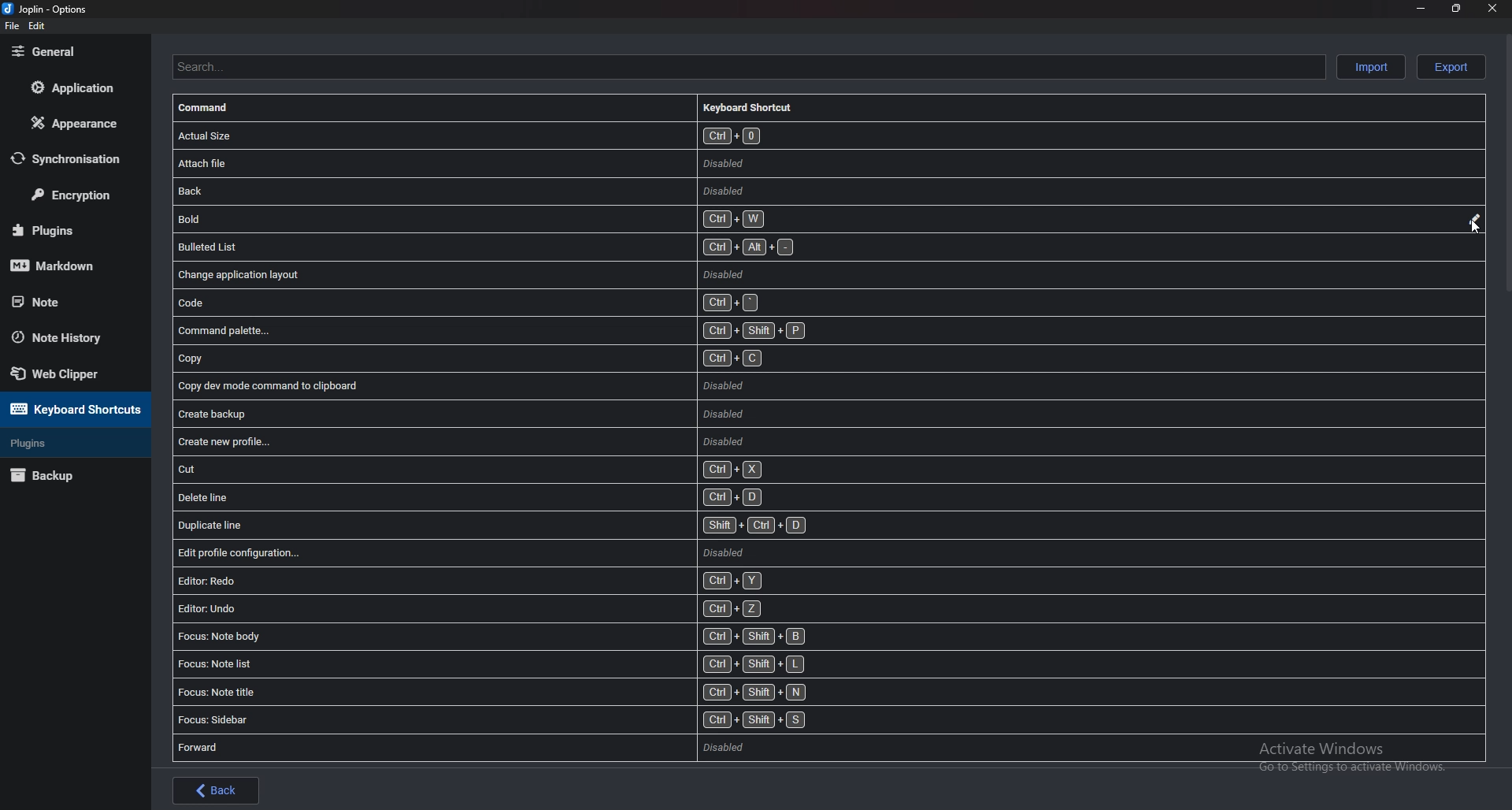  What do you see at coordinates (65, 477) in the screenshot?
I see `Backup` at bounding box center [65, 477].